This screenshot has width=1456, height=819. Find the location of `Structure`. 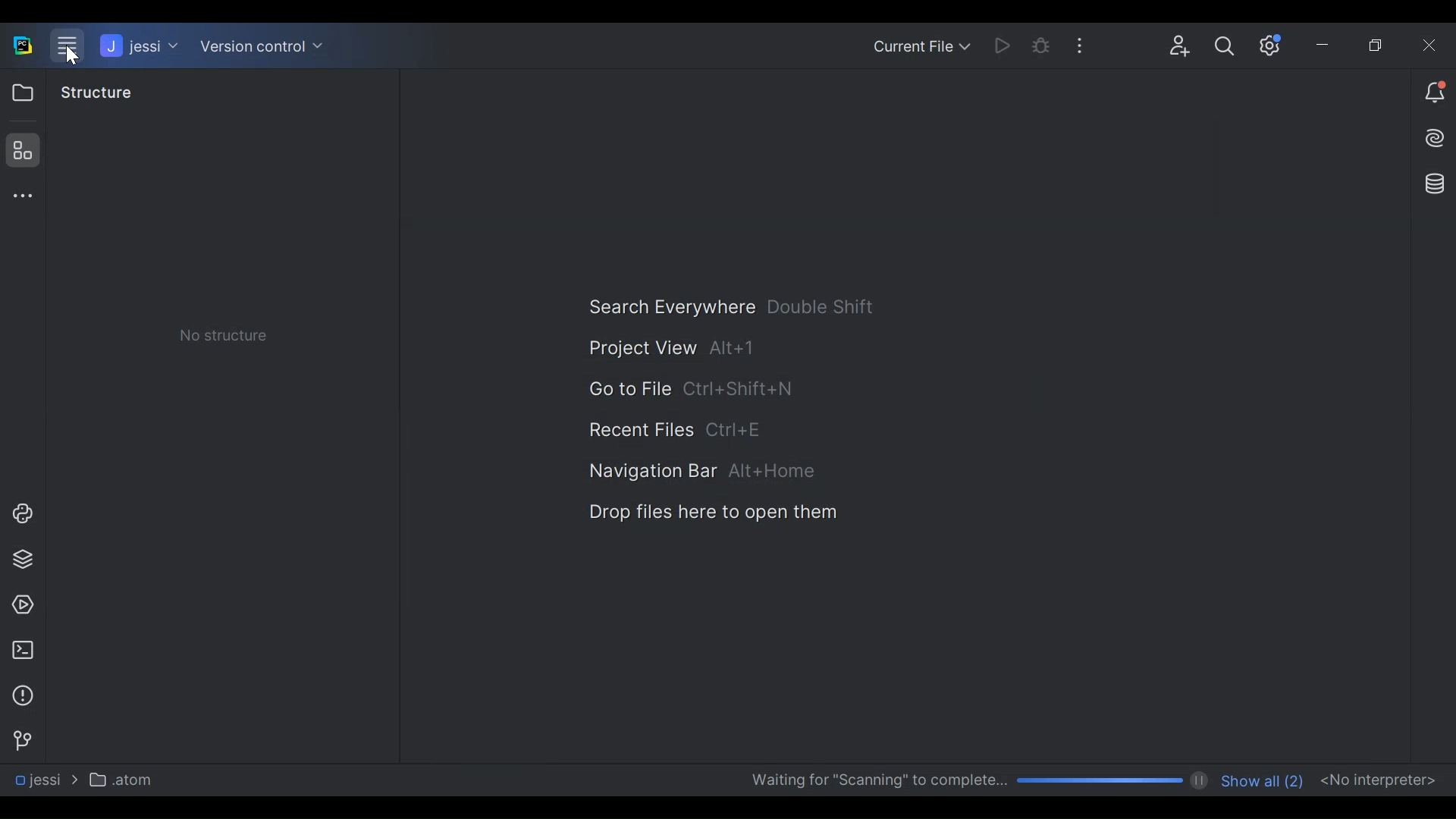

Structure is located at coordinates (92, 94).